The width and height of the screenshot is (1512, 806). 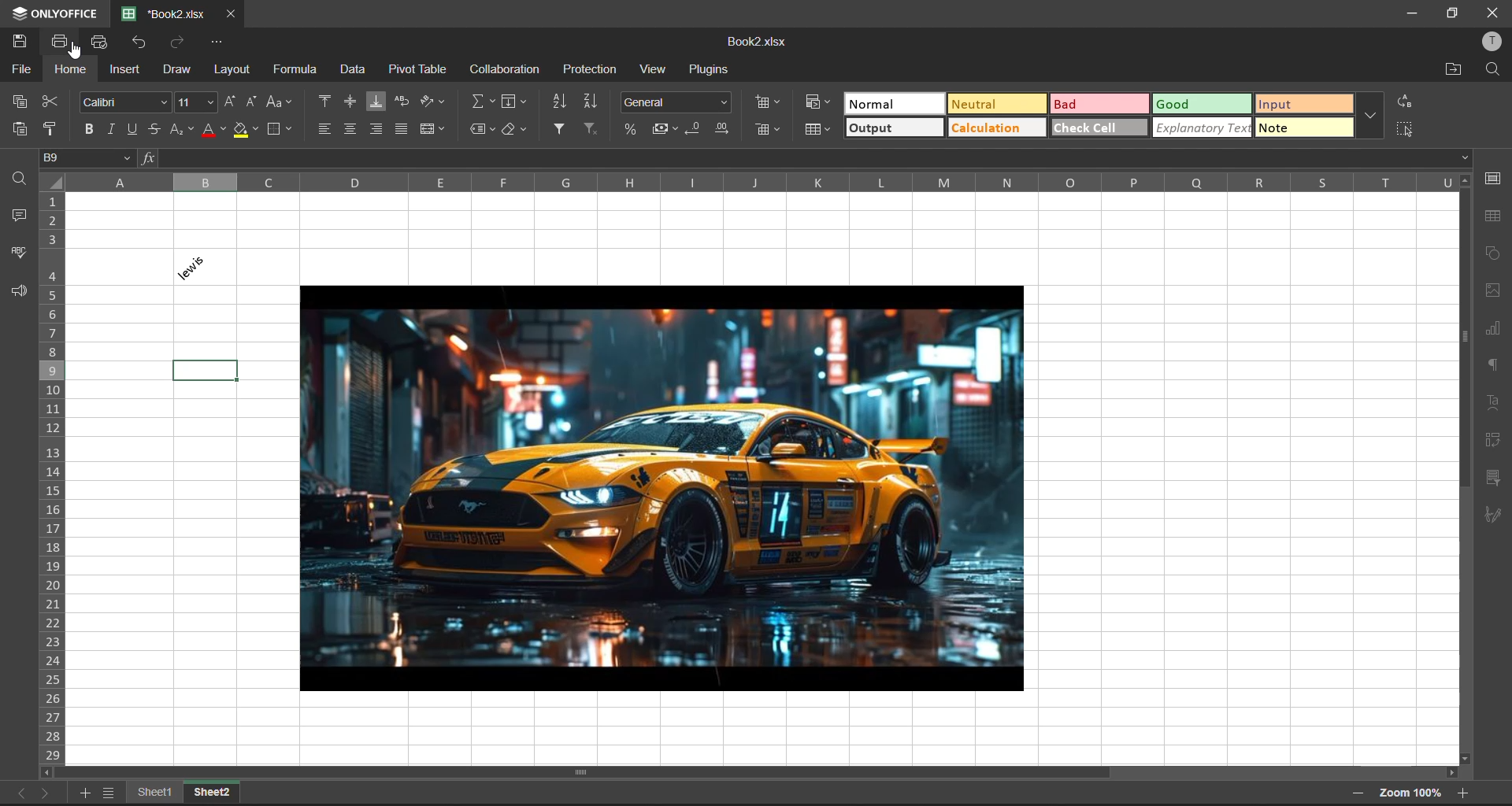 I want to click on row numbers, so click(x=53, y=479).